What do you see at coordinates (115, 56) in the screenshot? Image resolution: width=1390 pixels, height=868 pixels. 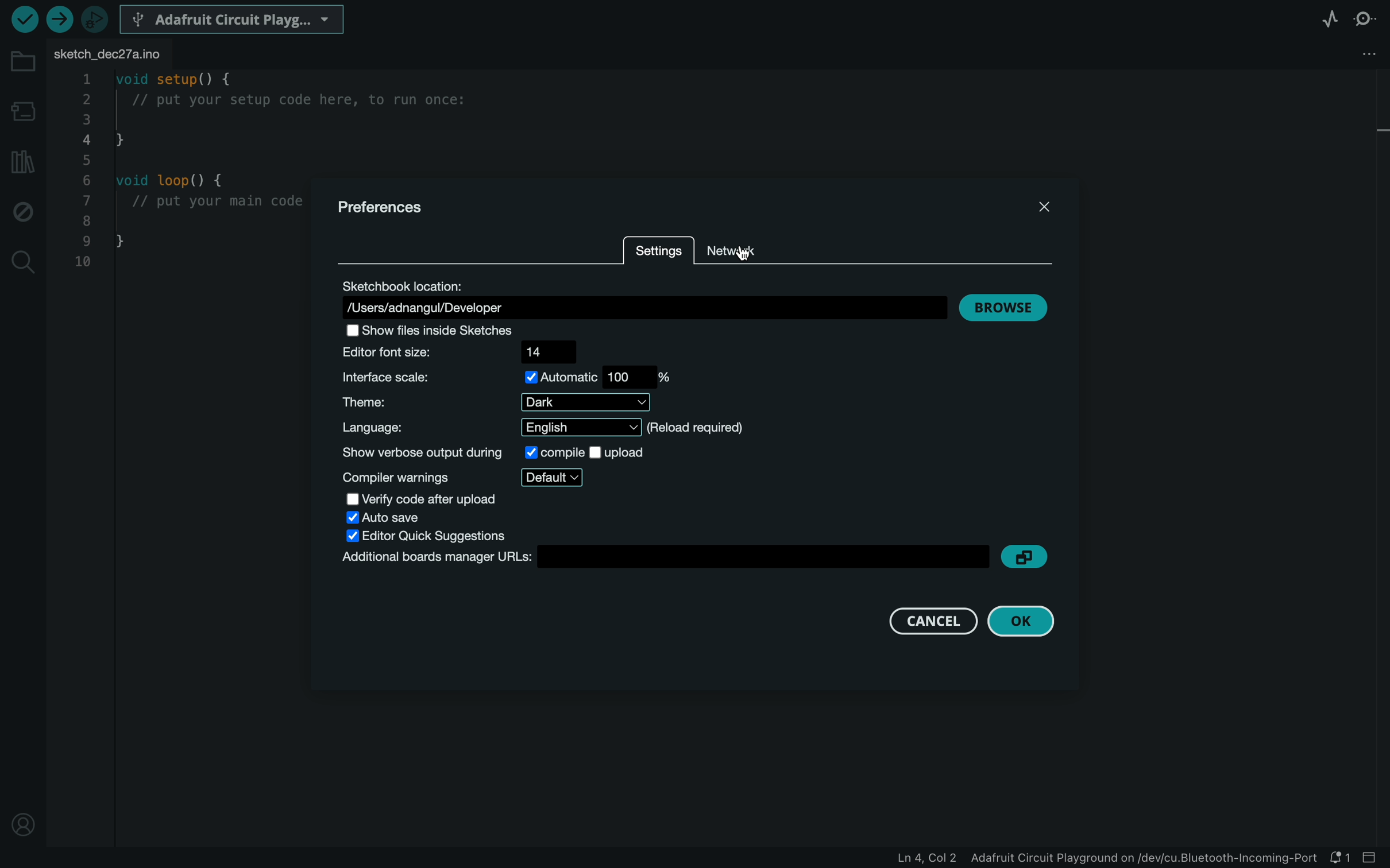 I see `file tab` at bounding box center [115, 56].